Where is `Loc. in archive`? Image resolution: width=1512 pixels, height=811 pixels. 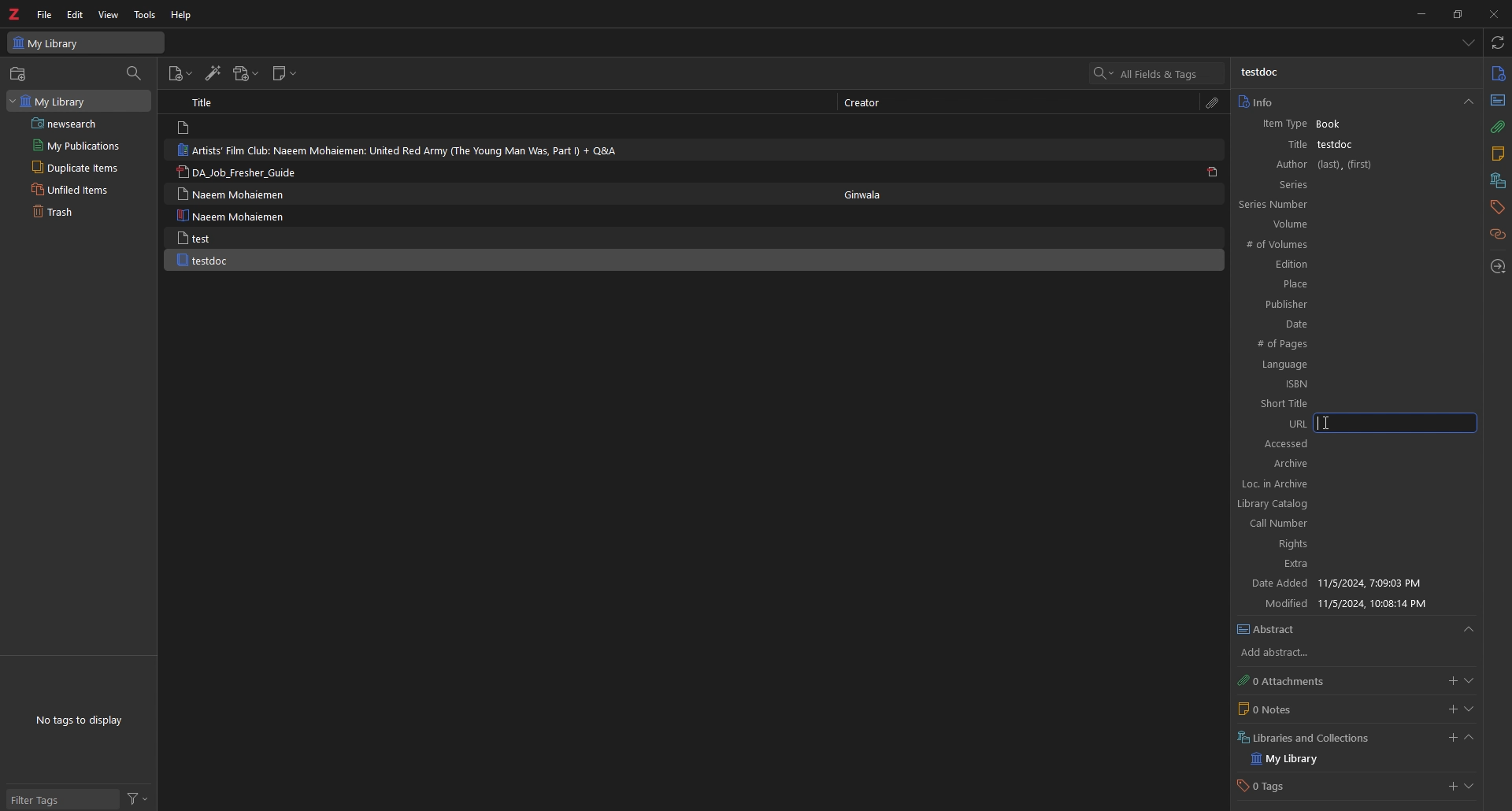
Loc. in archive is located at coordinates (1349, 484).